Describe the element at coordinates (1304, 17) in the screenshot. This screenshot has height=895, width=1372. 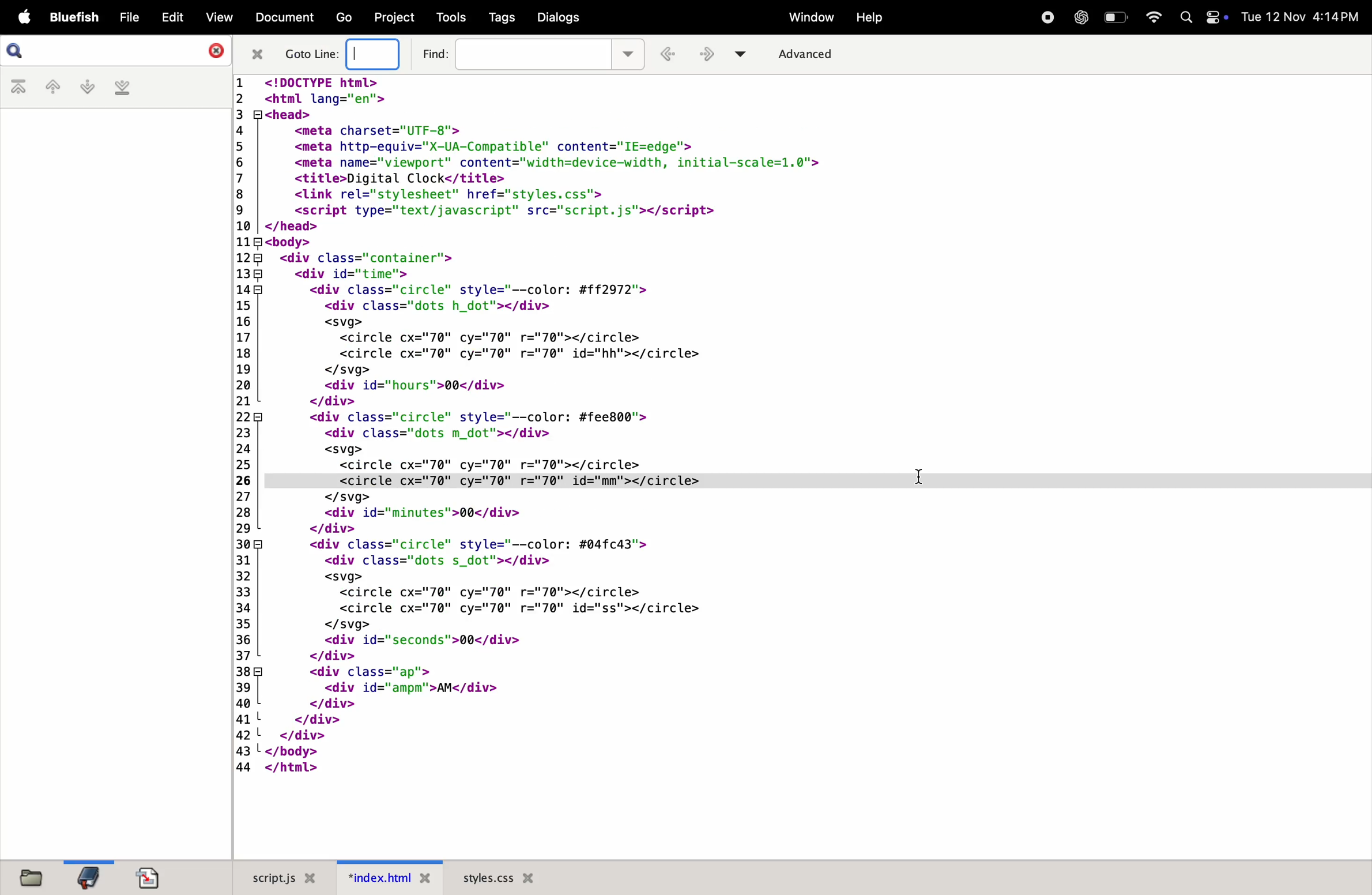
I see `date and time` at that location.